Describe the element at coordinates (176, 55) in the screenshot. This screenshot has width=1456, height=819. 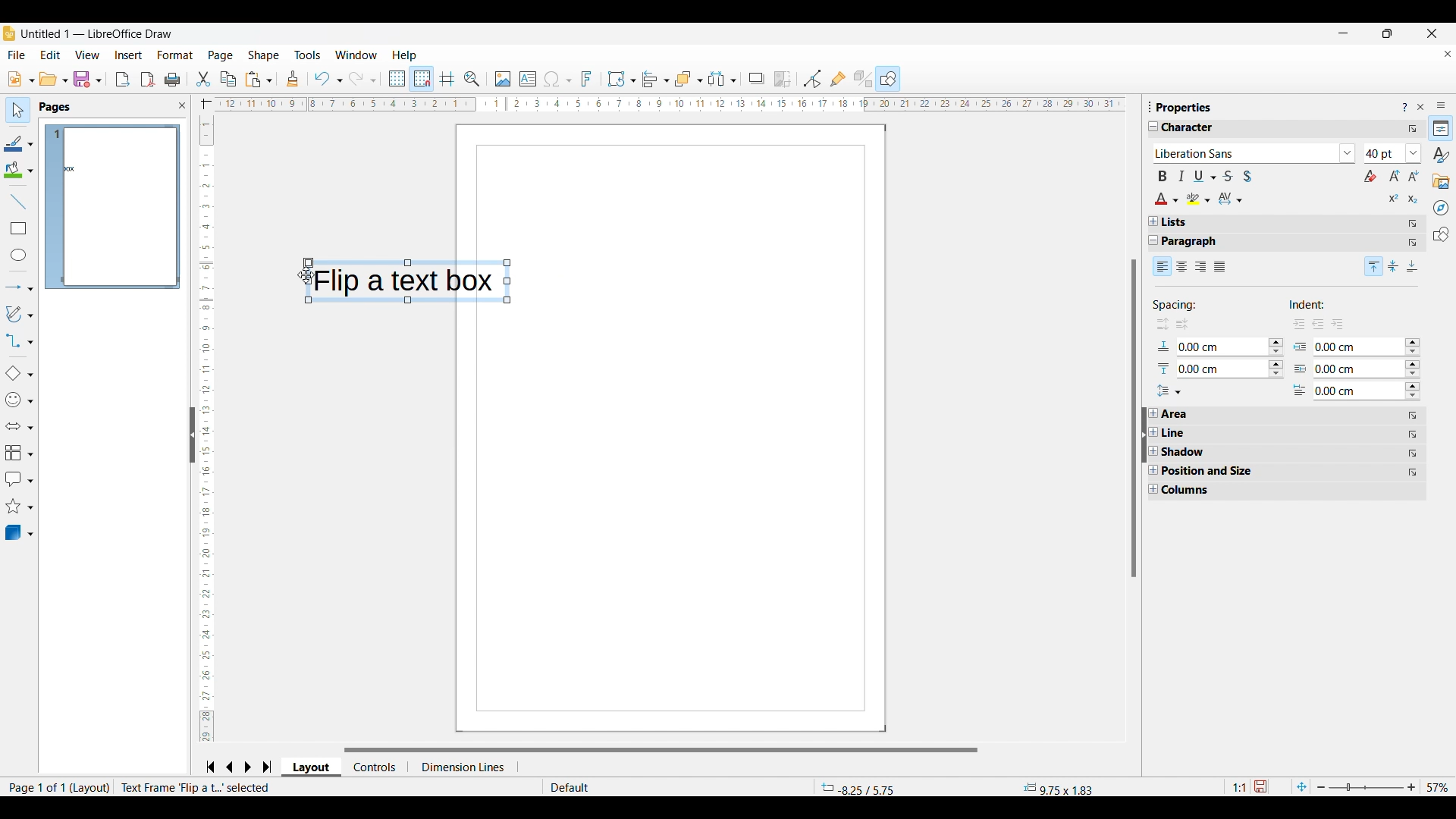
I see `Format menu` at that location.